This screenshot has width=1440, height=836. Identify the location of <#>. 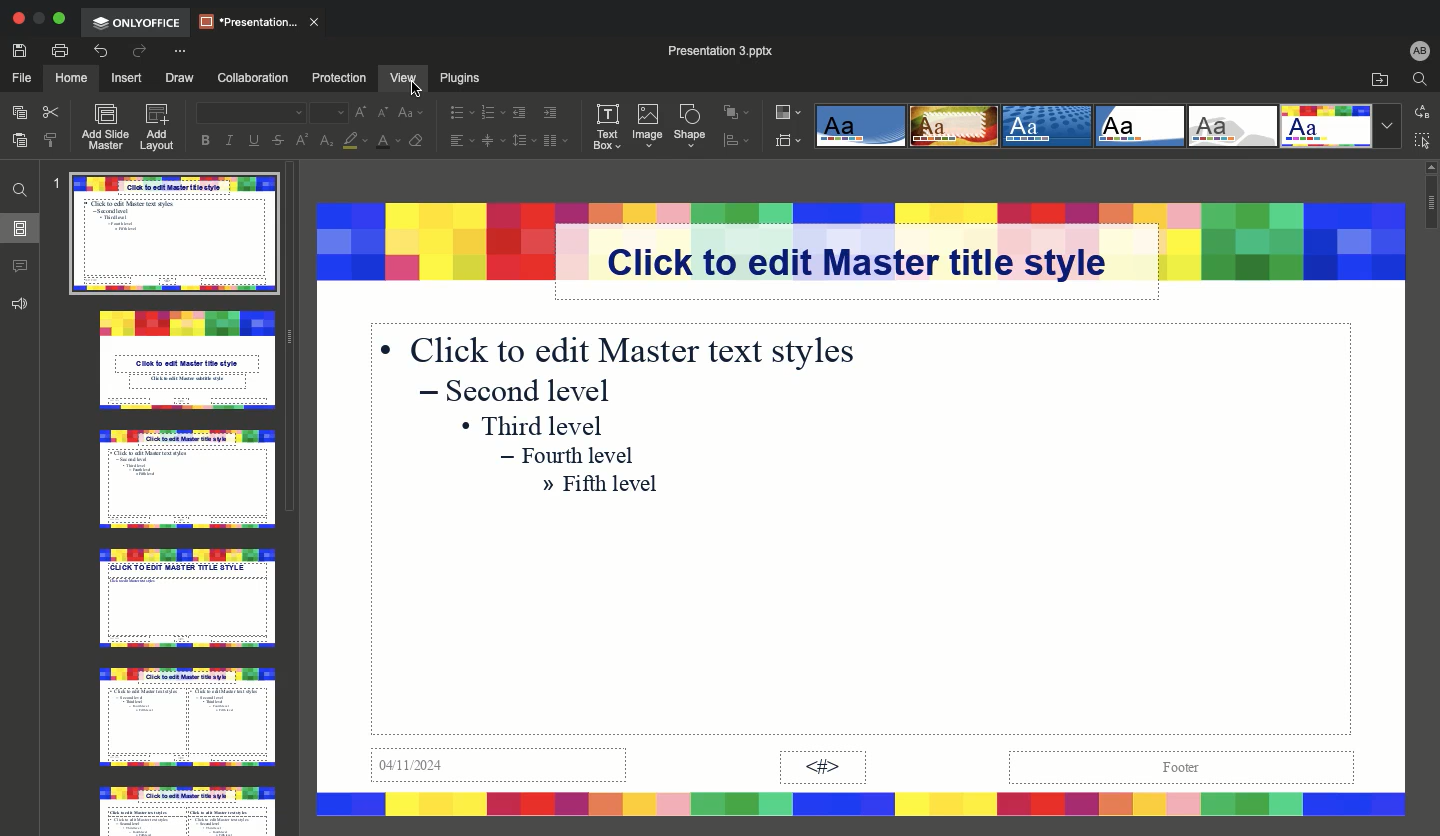
(822, 768).